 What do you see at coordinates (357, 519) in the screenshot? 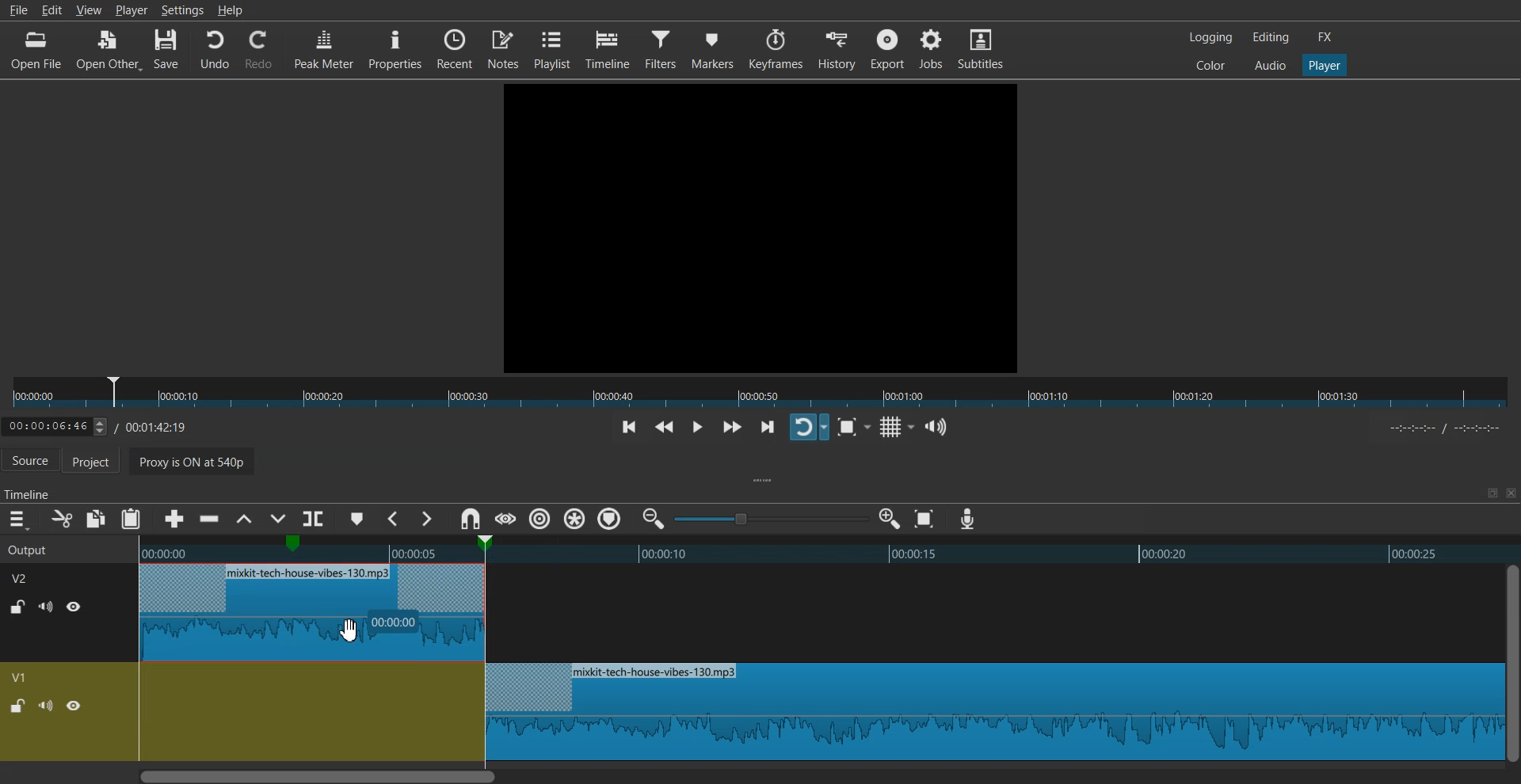
I see `Add marker` at bounding box center [357, 519].